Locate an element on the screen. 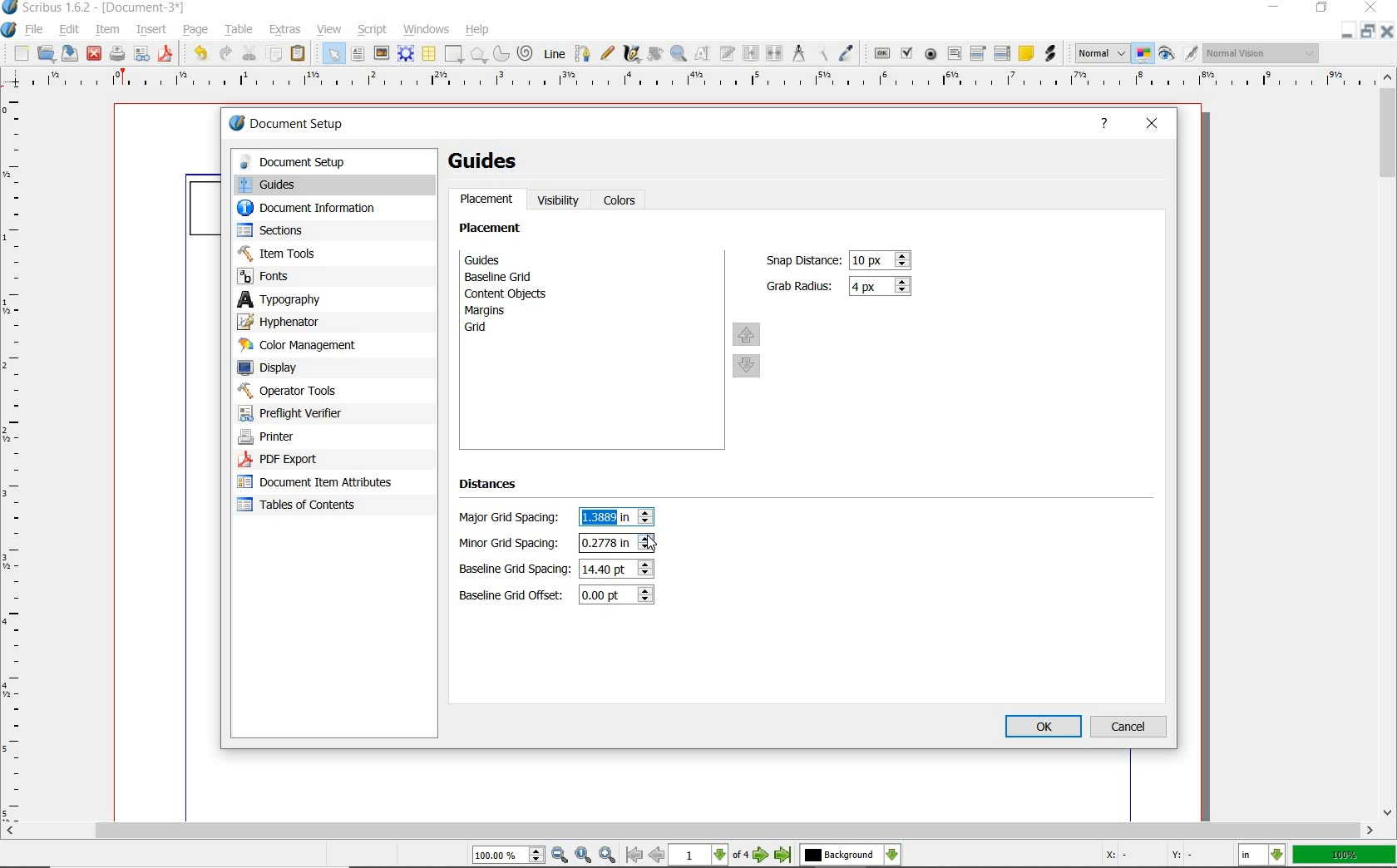 The image size is (1397, 868). file is located at coordinates (37, 30).